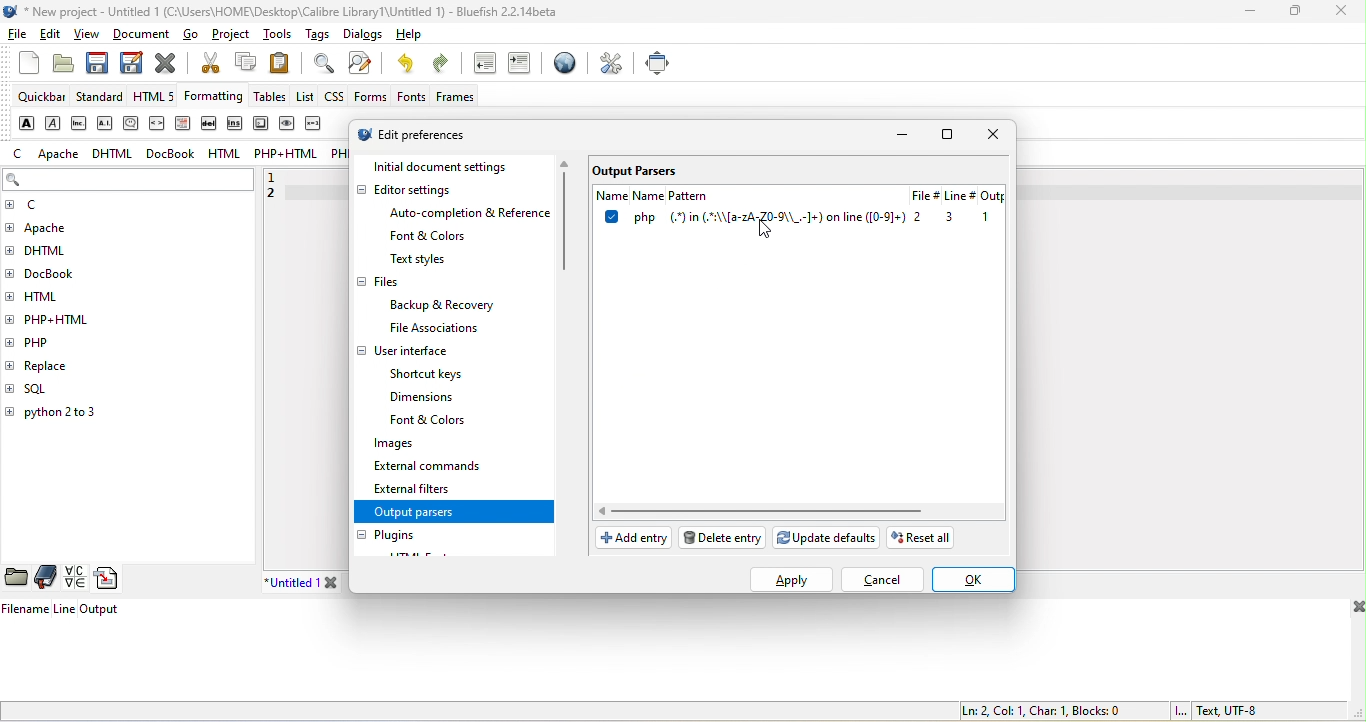  Describe the element at coordinates (405, 352) in the screenshot. I see `user interface` at that location.